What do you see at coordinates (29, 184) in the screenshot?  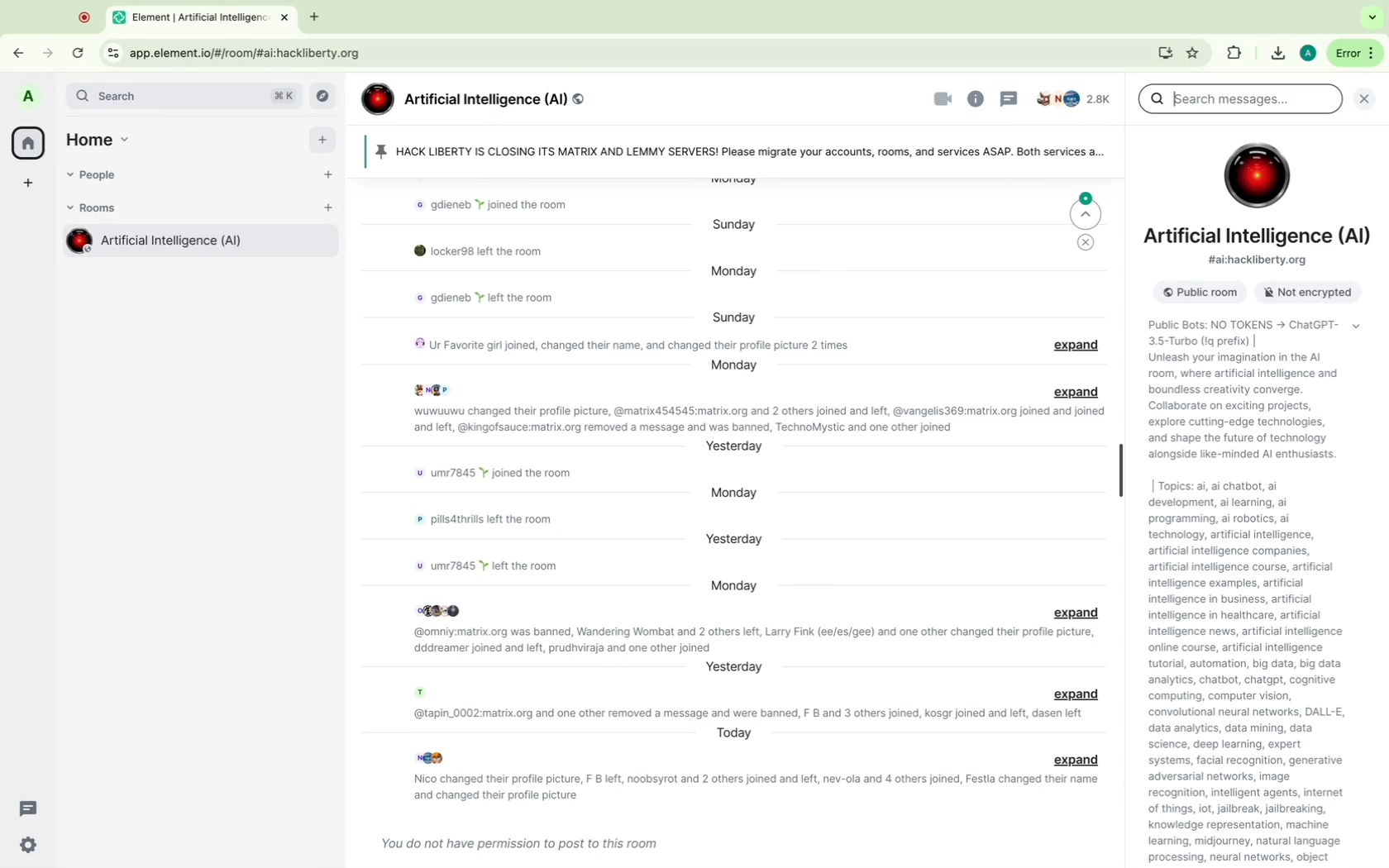 I see `create a space` at bounding box center [29, 184].